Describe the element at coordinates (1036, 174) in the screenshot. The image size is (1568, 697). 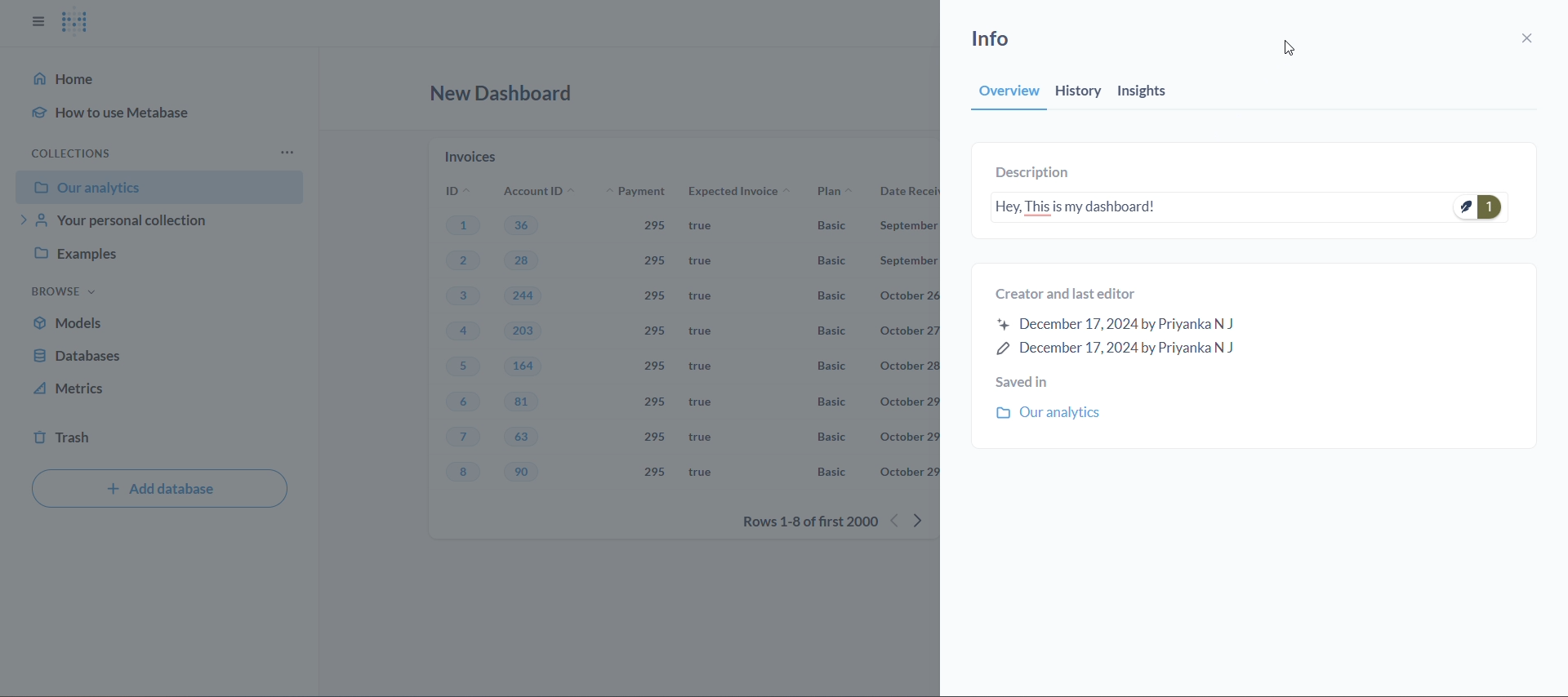
I see `description` at that location.